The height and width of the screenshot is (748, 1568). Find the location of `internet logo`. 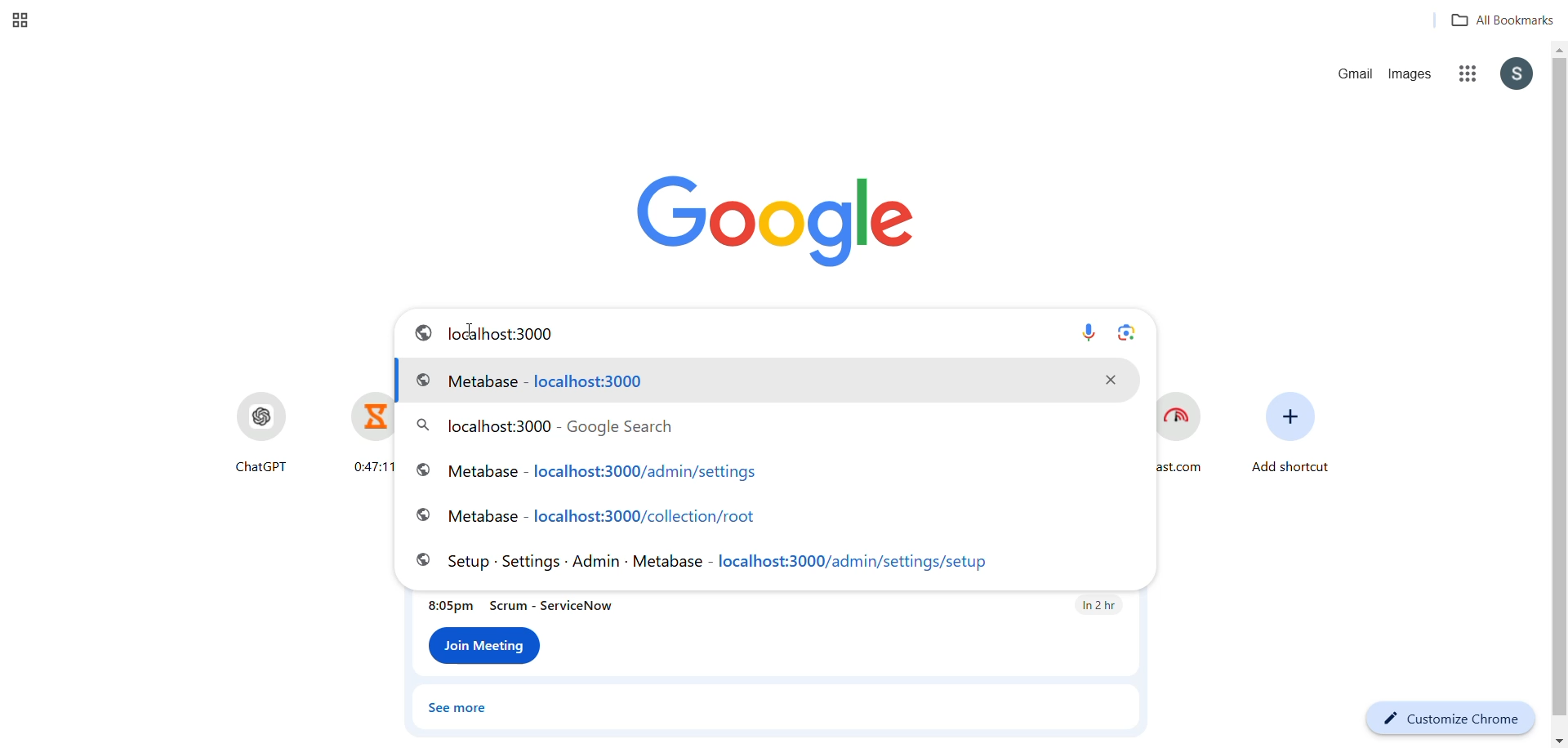

internet logo is located at coordinates (420, 332).